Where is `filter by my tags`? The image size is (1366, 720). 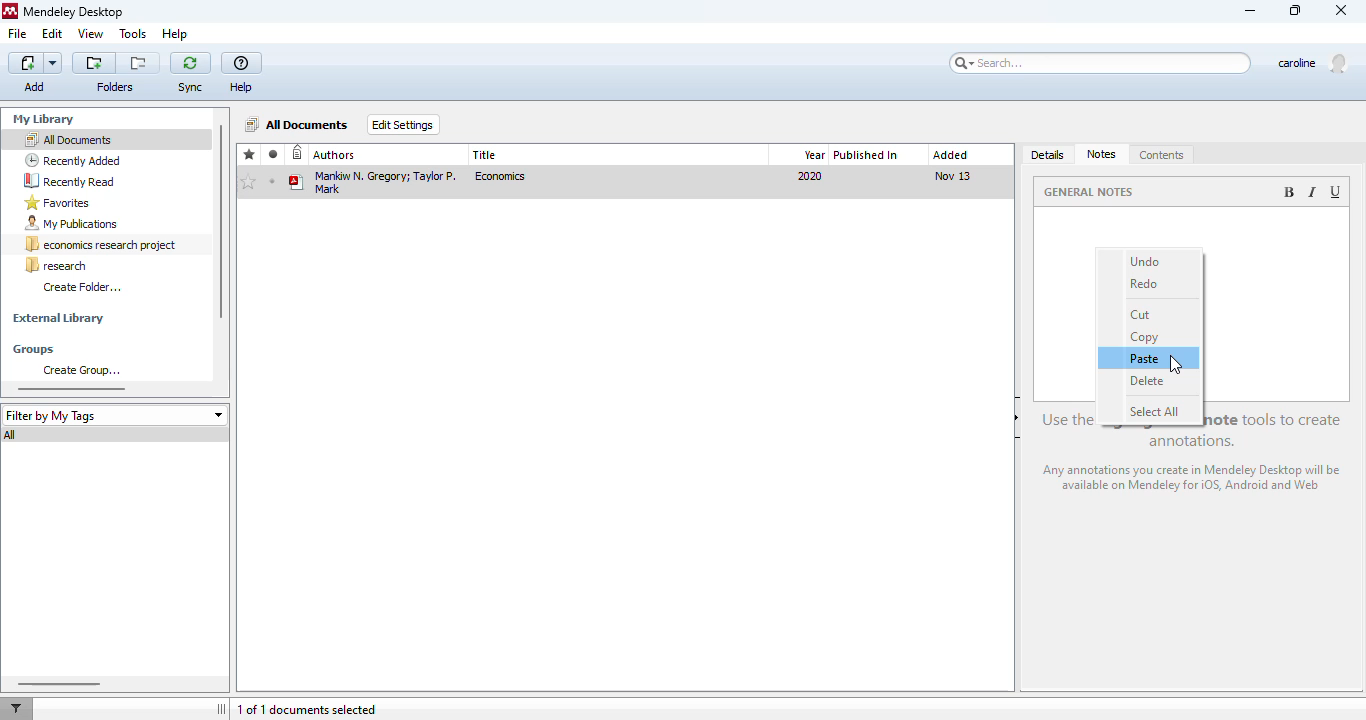 filter by my tags is located at coordinates (114, 415).